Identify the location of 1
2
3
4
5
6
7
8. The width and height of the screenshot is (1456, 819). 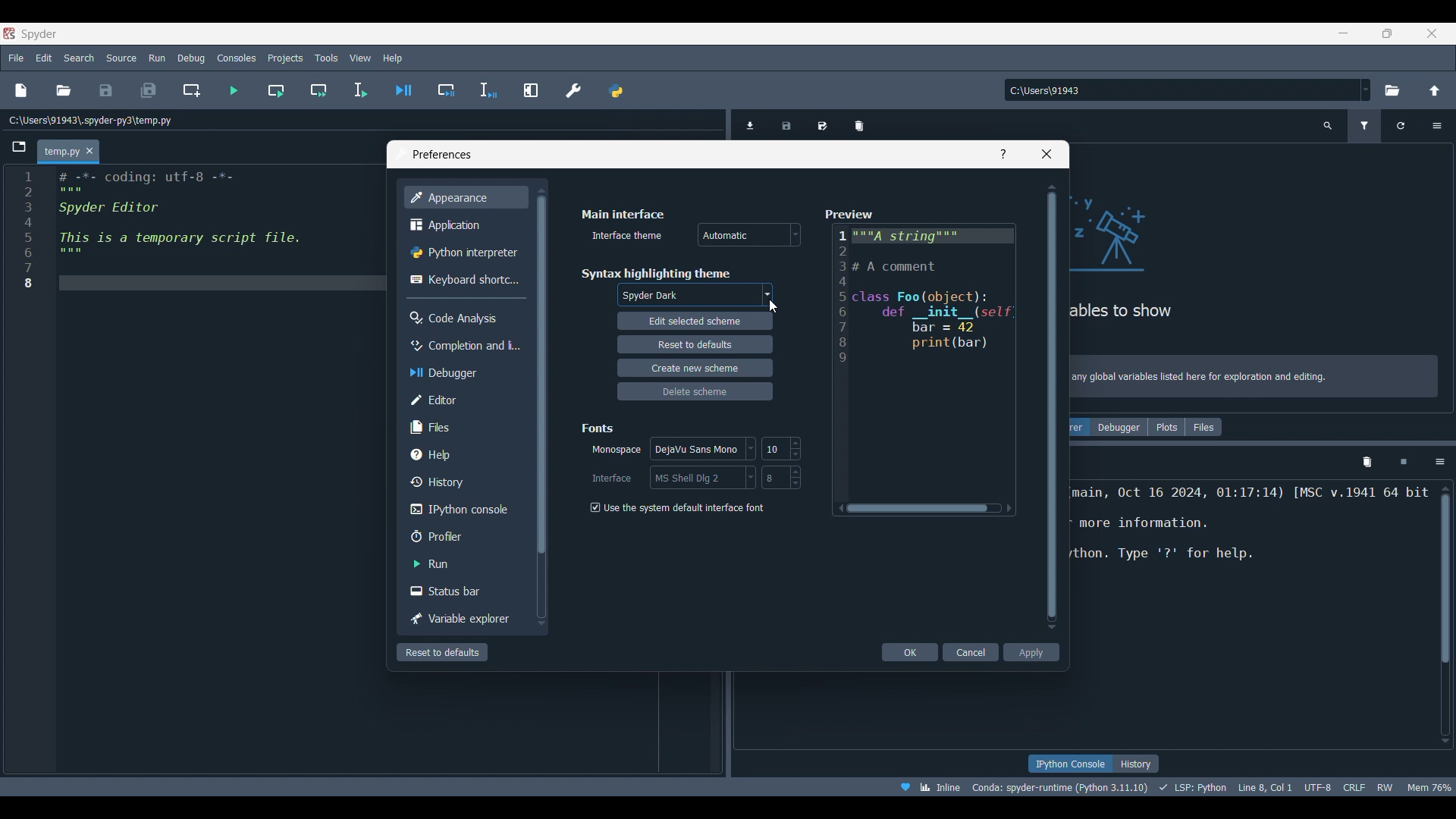
(28, 232).